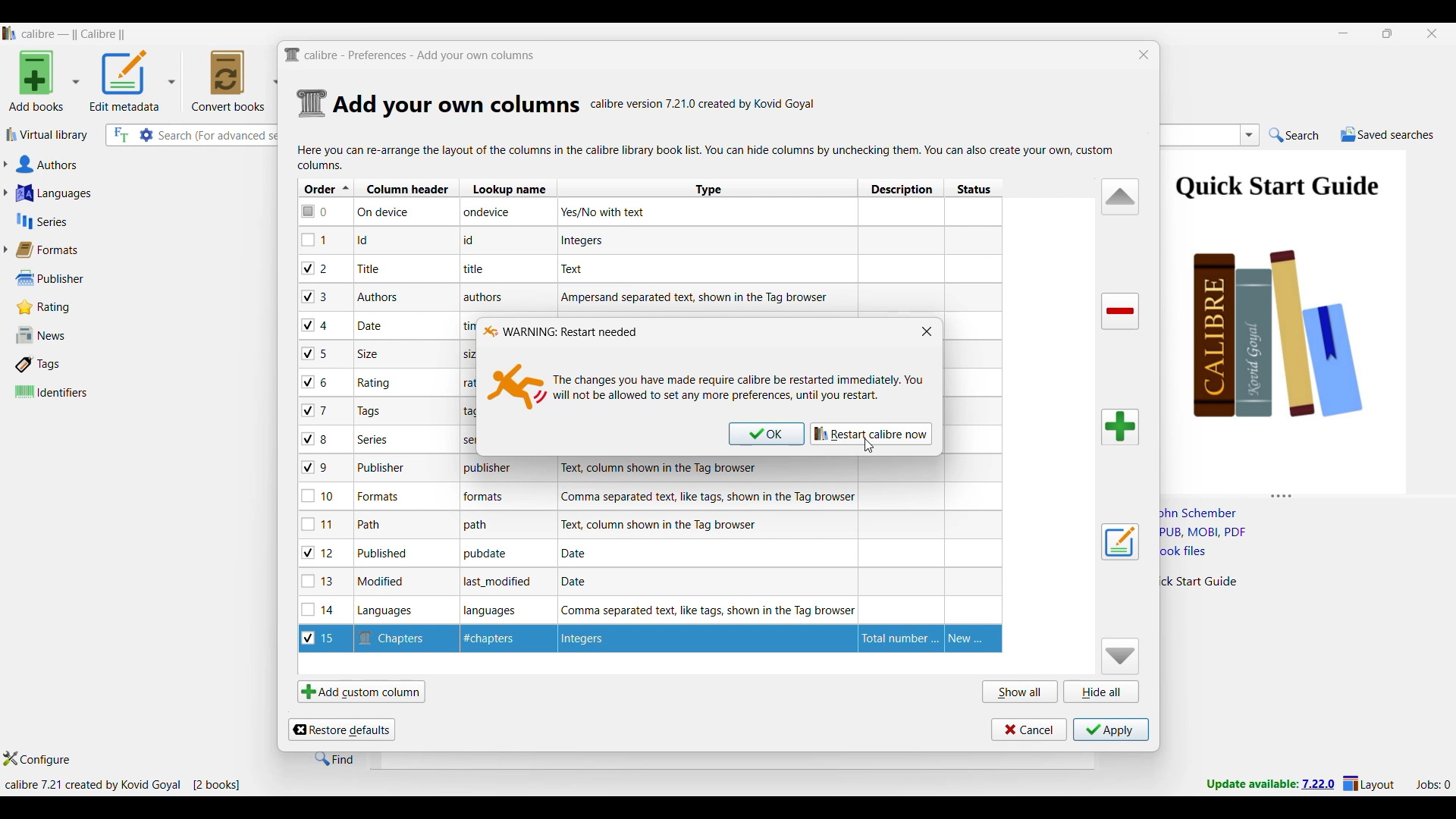 The image size is (1456, 819). Describe the element at coordinates (371, 354) in the screenshot. I see `Note` at that location.